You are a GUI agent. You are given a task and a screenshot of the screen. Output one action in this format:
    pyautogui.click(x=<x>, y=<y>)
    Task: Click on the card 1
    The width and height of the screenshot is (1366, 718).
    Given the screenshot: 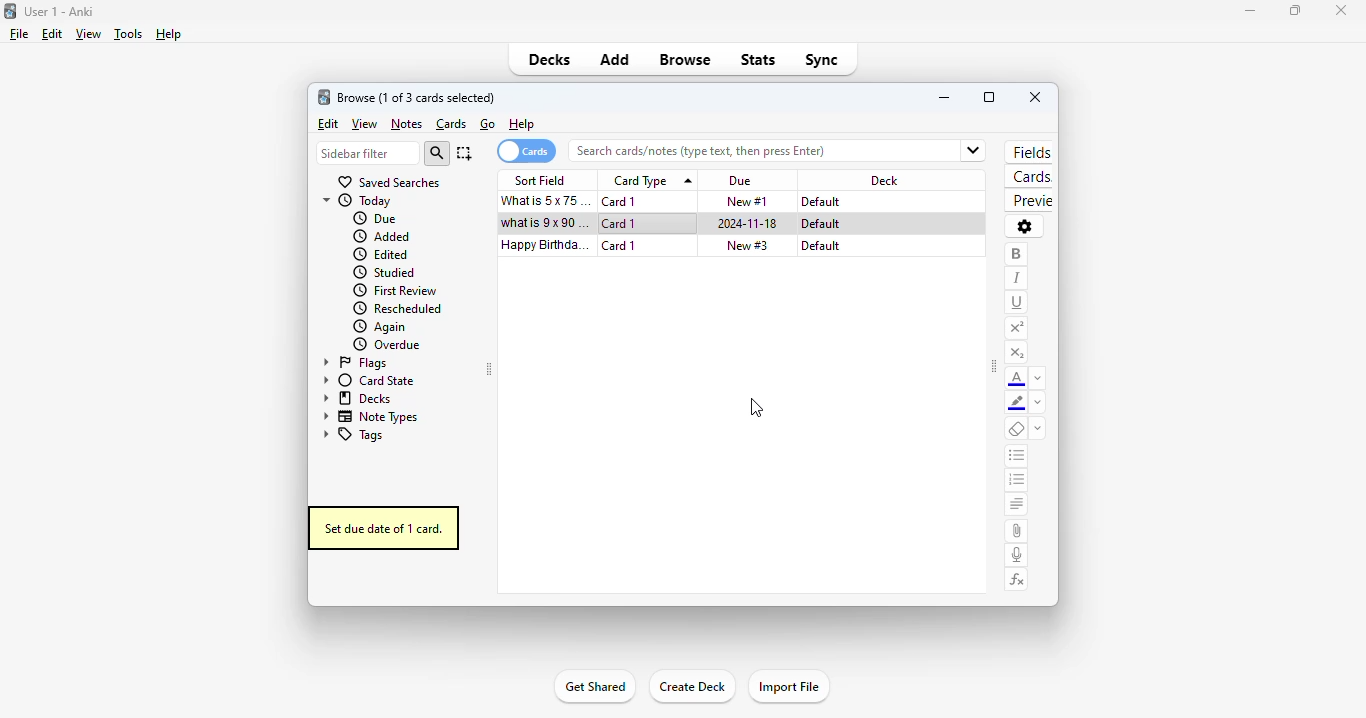 What is the action you would take?
    pyautogui.click(x=621, y=202)
    